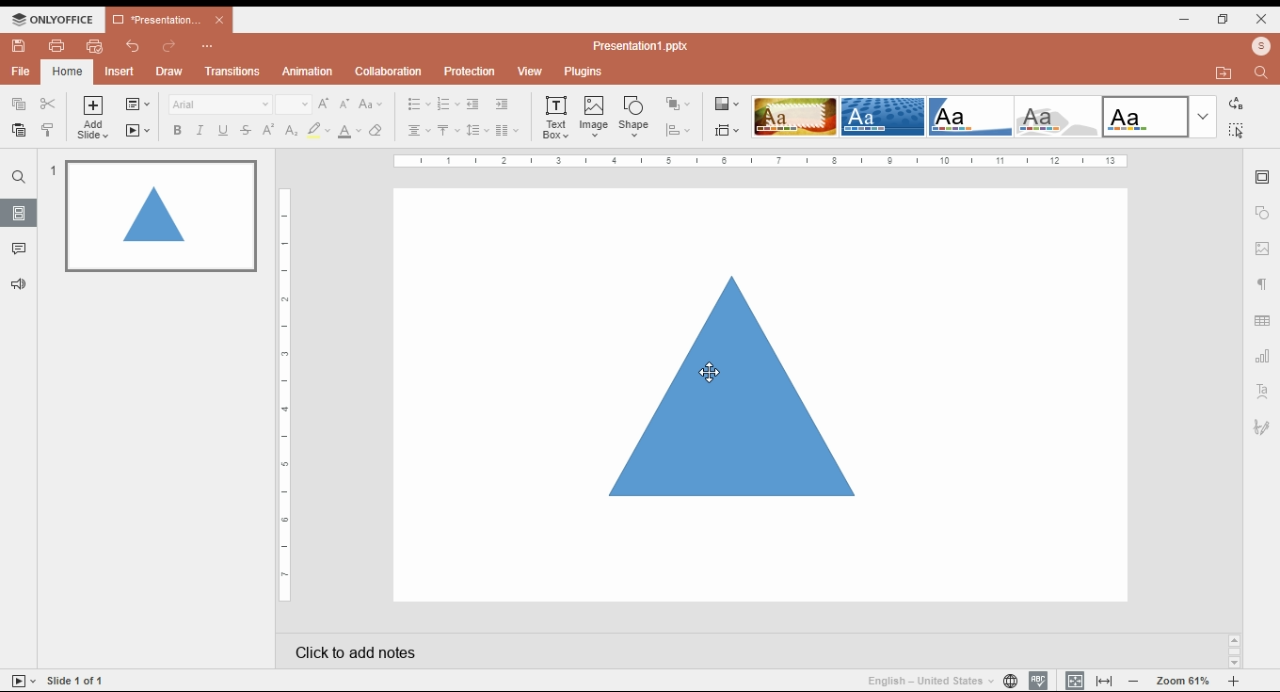 This screenshot has width=1280, height=692. Describe the element at coordinates (18, 130) in the screenshot. I see `paste` at that location.